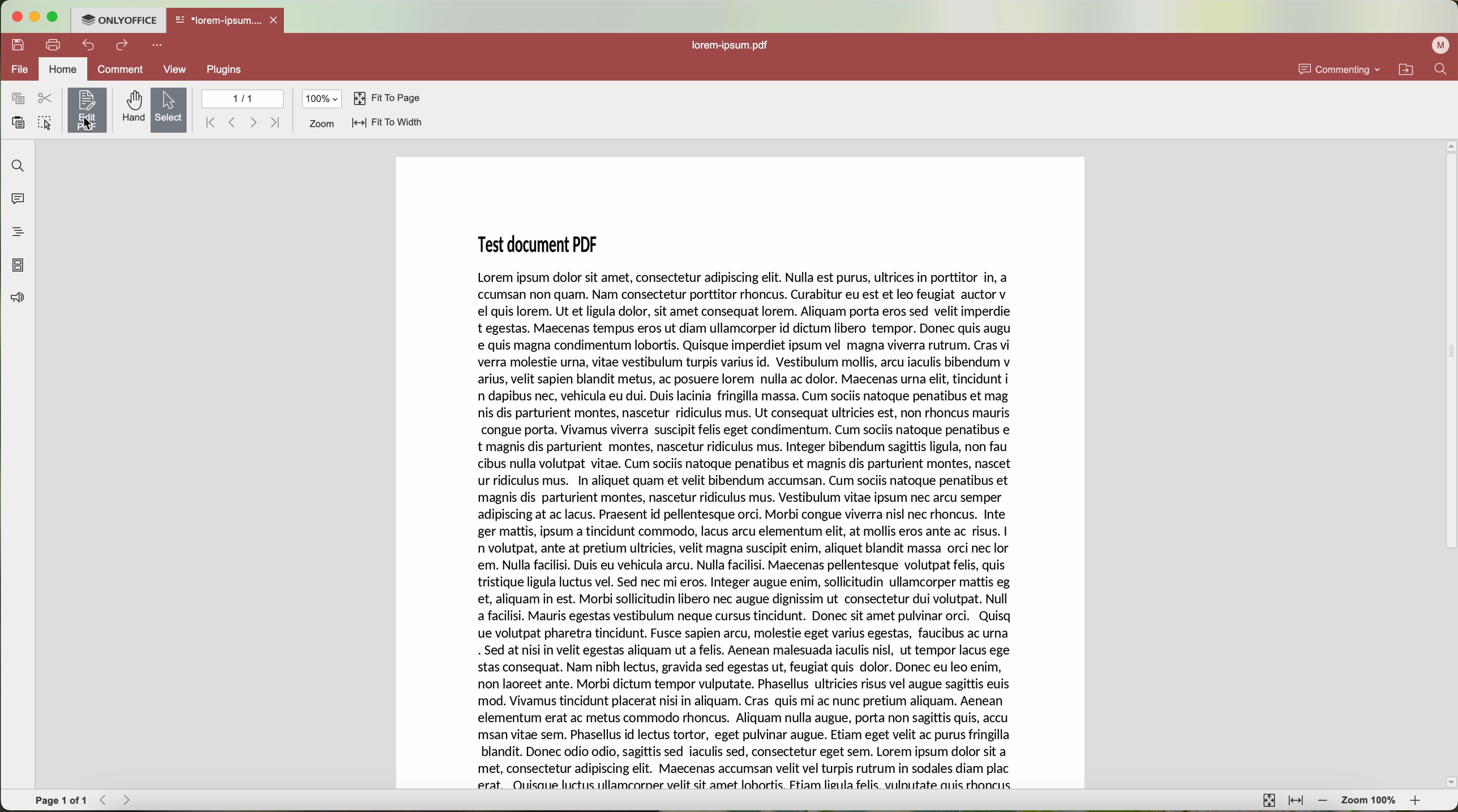 This screenshot has width=1458, height=812. I want to click on fit to width, so click(1297, 801).